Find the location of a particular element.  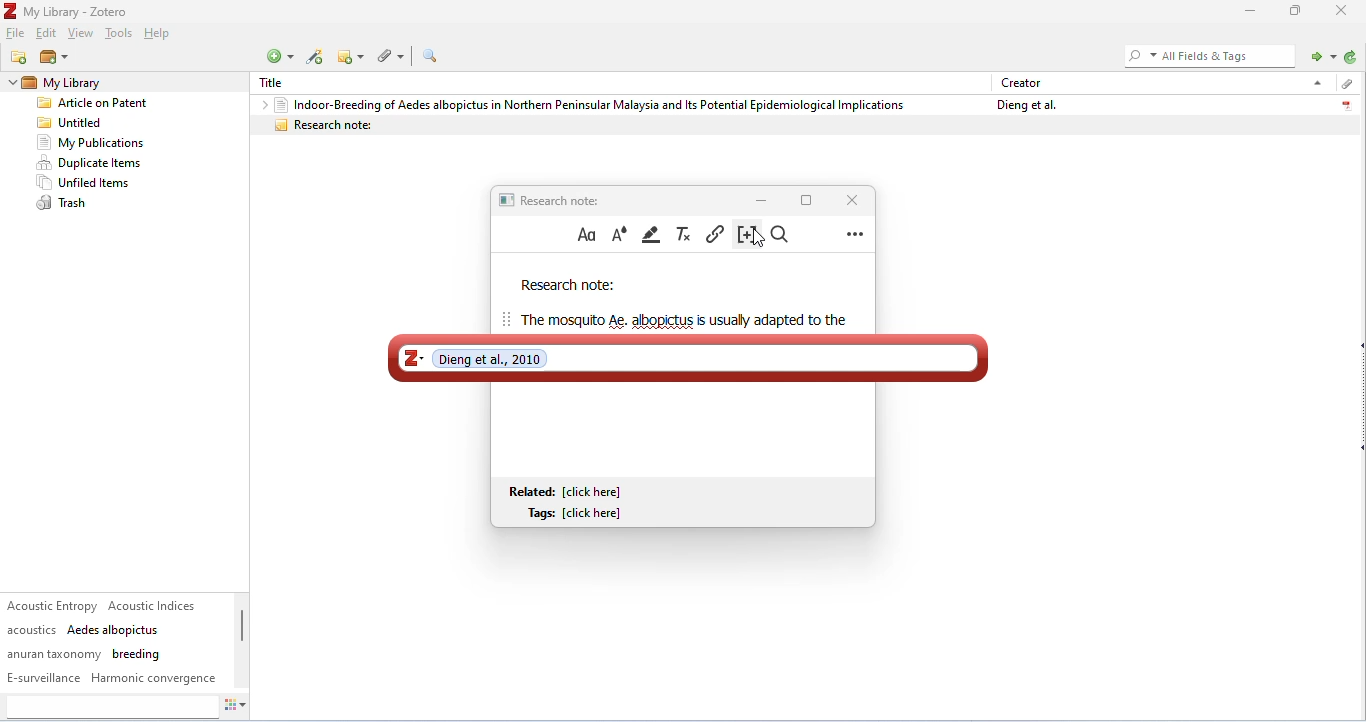

cursor movement is located at coordinates (761, 239).